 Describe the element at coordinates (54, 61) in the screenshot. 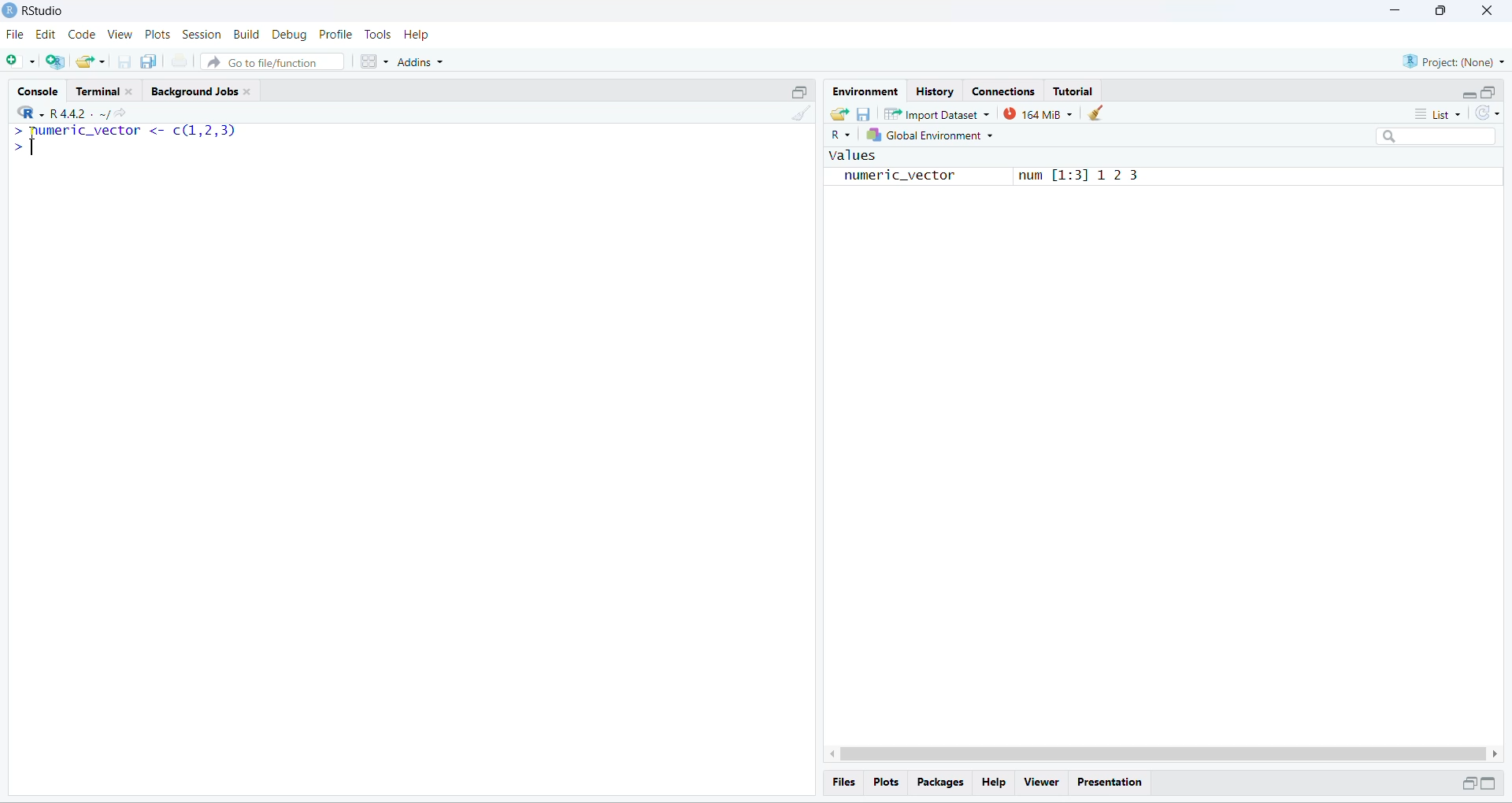

I see `create a project` at that location.